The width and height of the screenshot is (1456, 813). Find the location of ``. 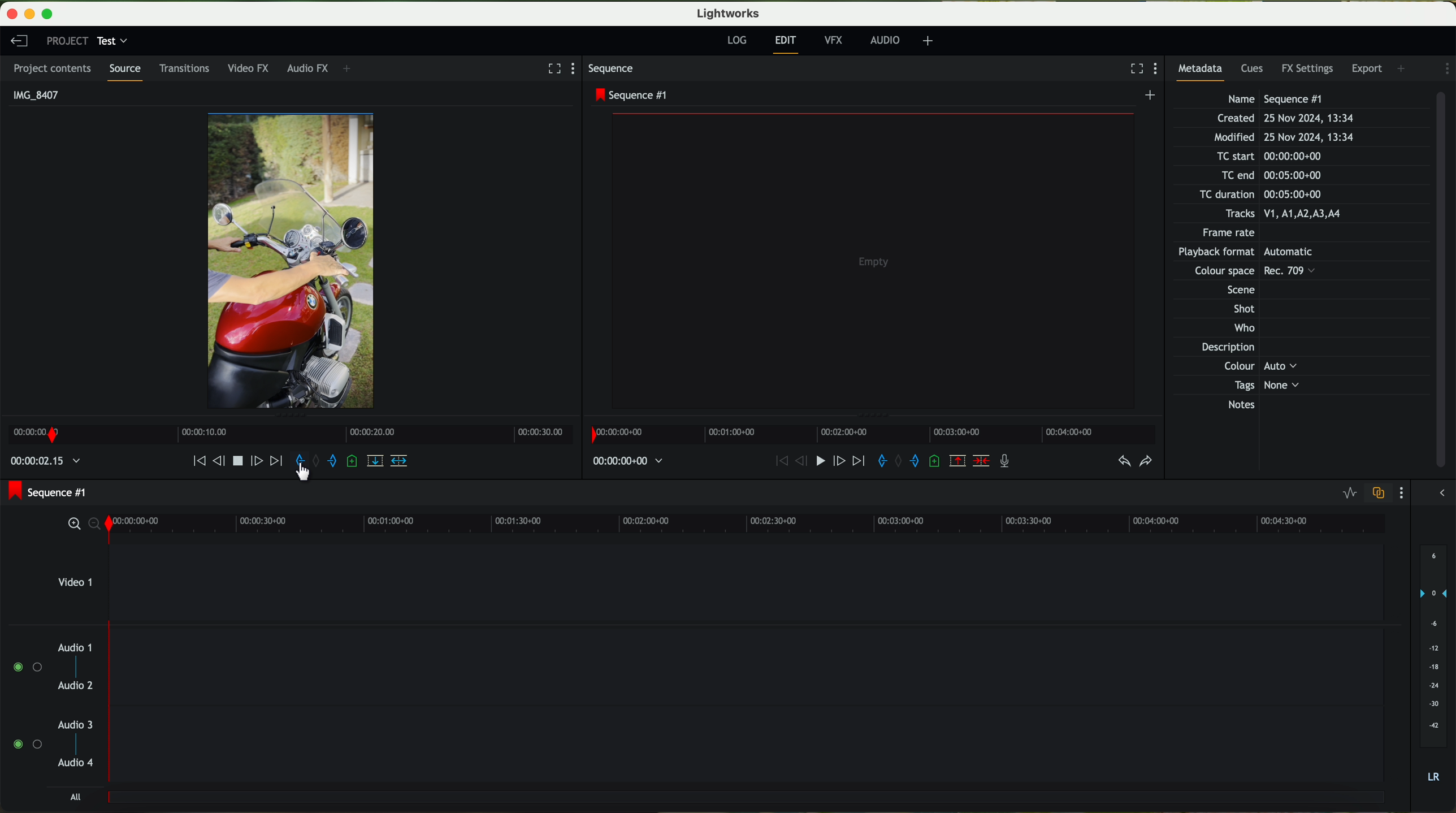

 is located at coordinates (1242, 273).